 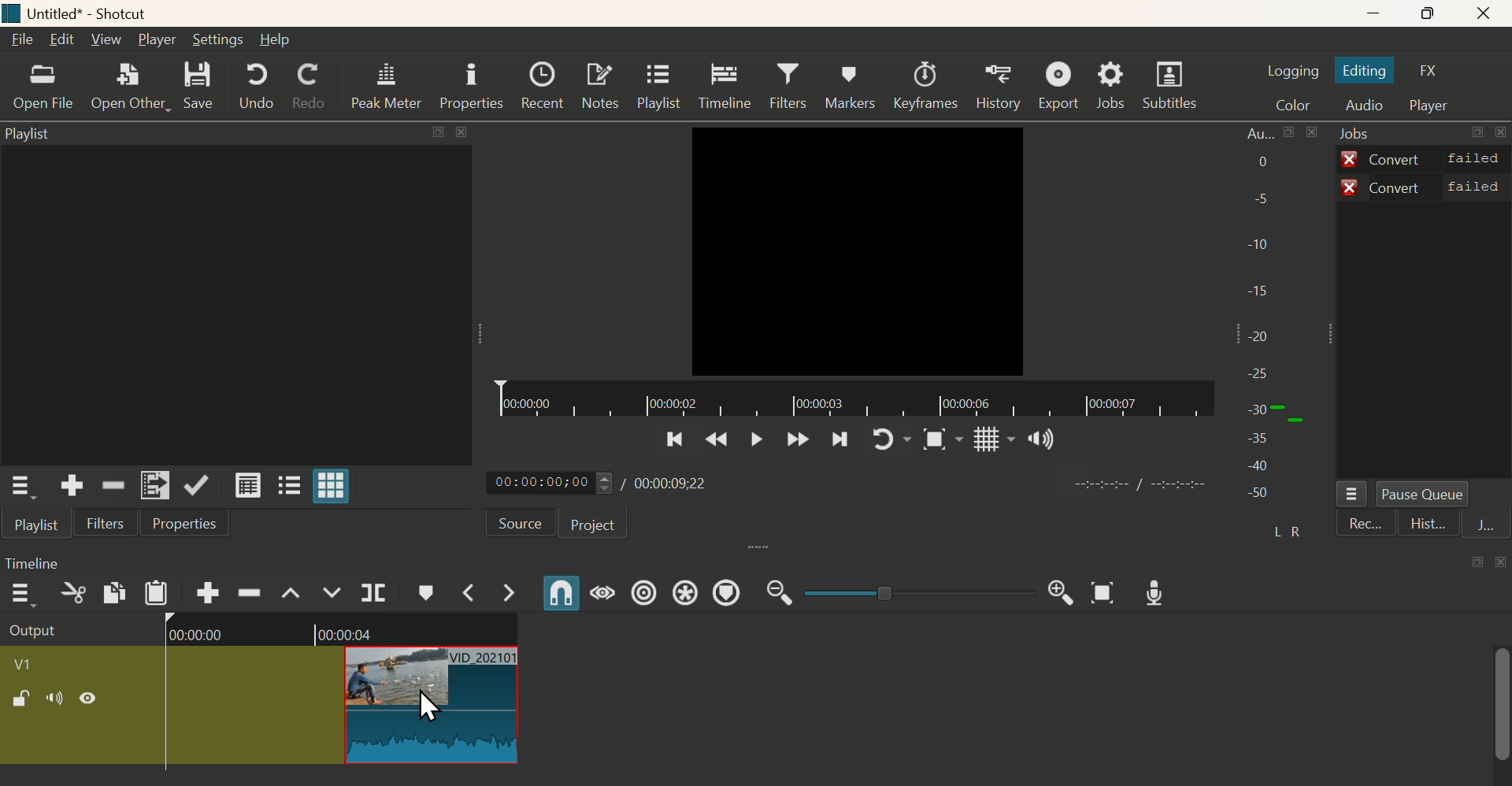 What do you see at coordinates (109, 484) in the screenshot?
I see `` at bounding box center [109, 484].